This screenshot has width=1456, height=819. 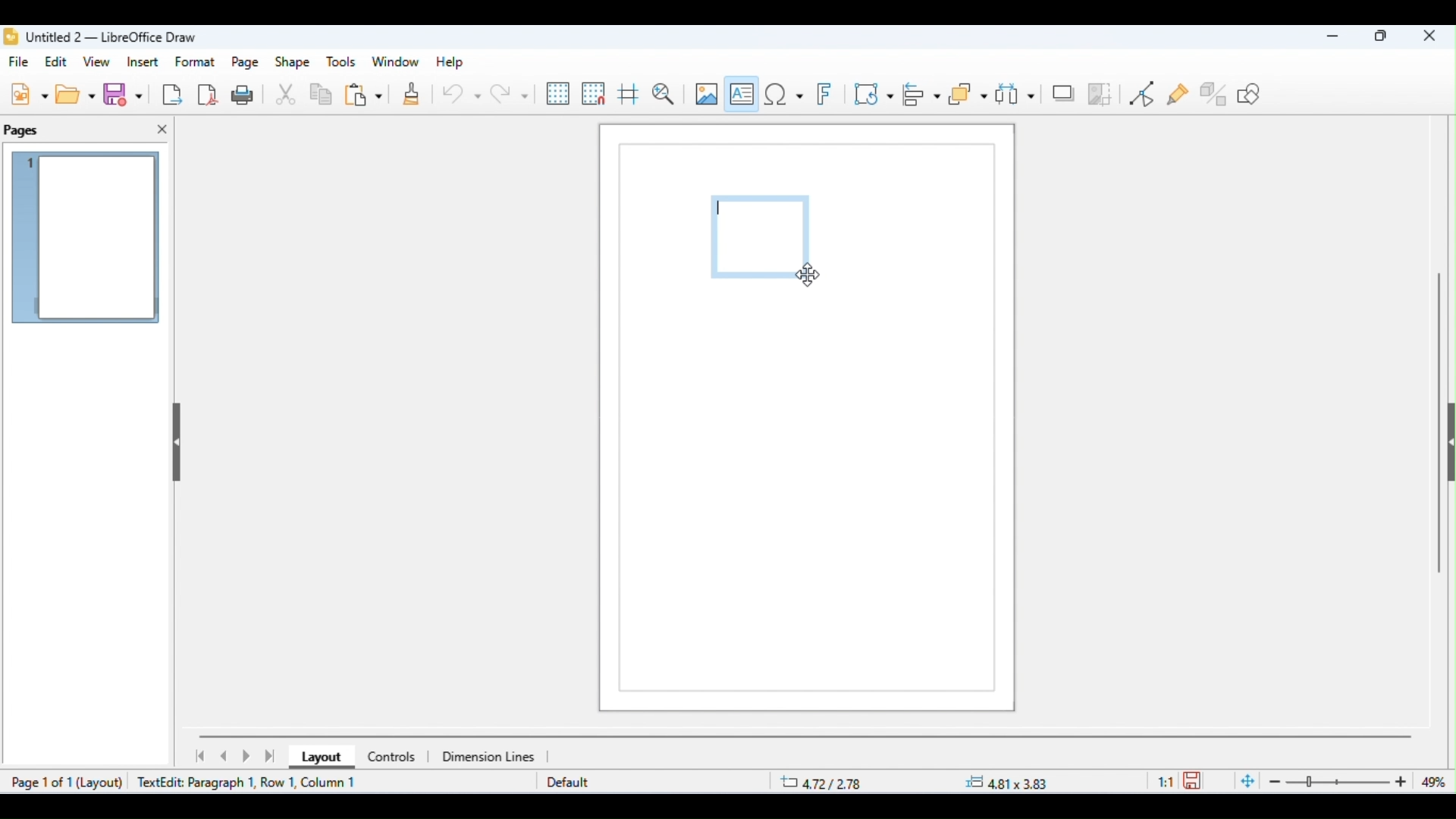 I want to click on file, so click(x=21, y=63).